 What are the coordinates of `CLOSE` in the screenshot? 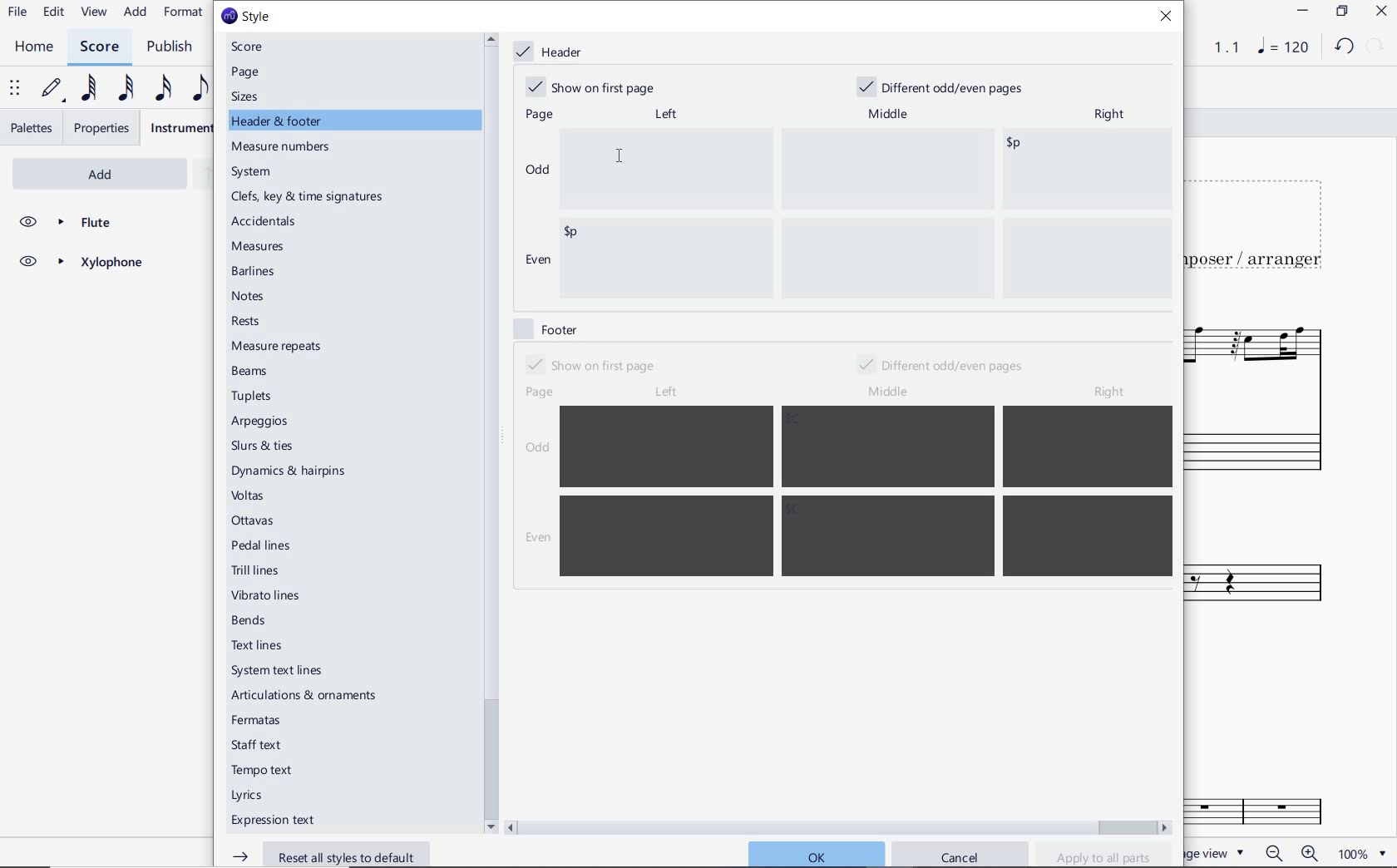 It's located at (1380, 11).